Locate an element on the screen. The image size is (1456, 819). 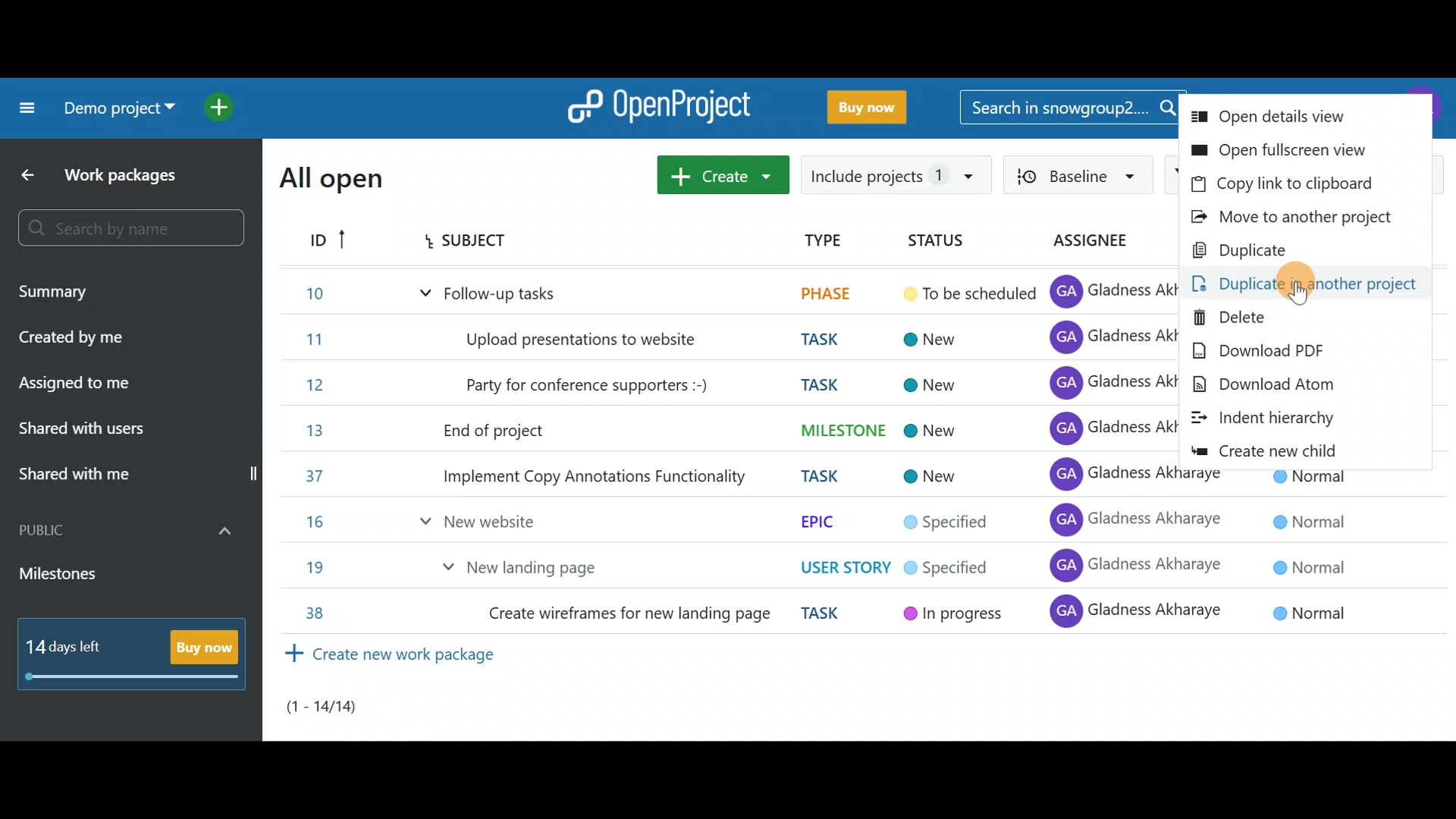
GA Gladness Akharaye is located at coordinates (1107, 428).